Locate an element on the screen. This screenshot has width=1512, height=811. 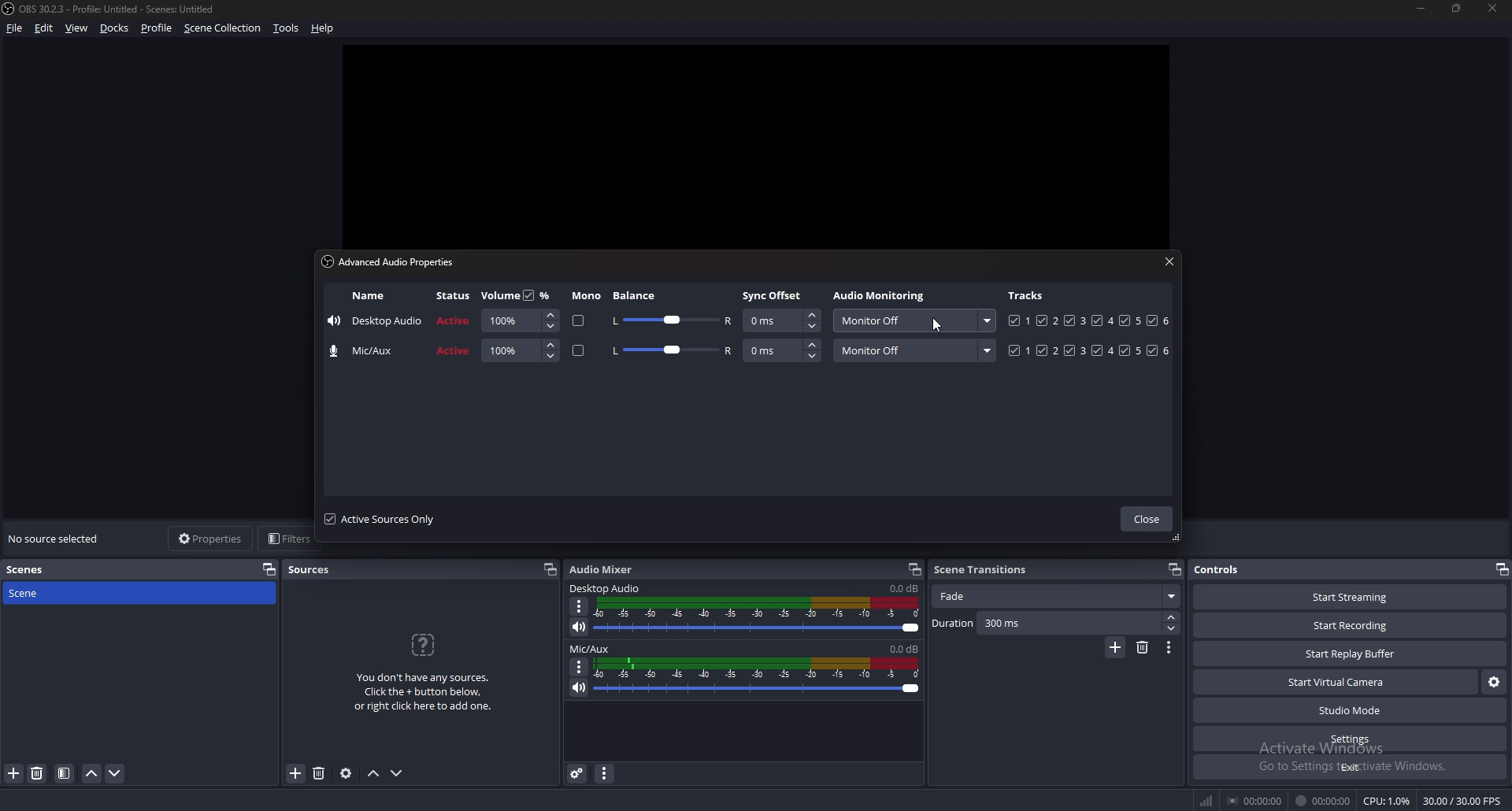
monitor off is located at coordinates (916, 350).